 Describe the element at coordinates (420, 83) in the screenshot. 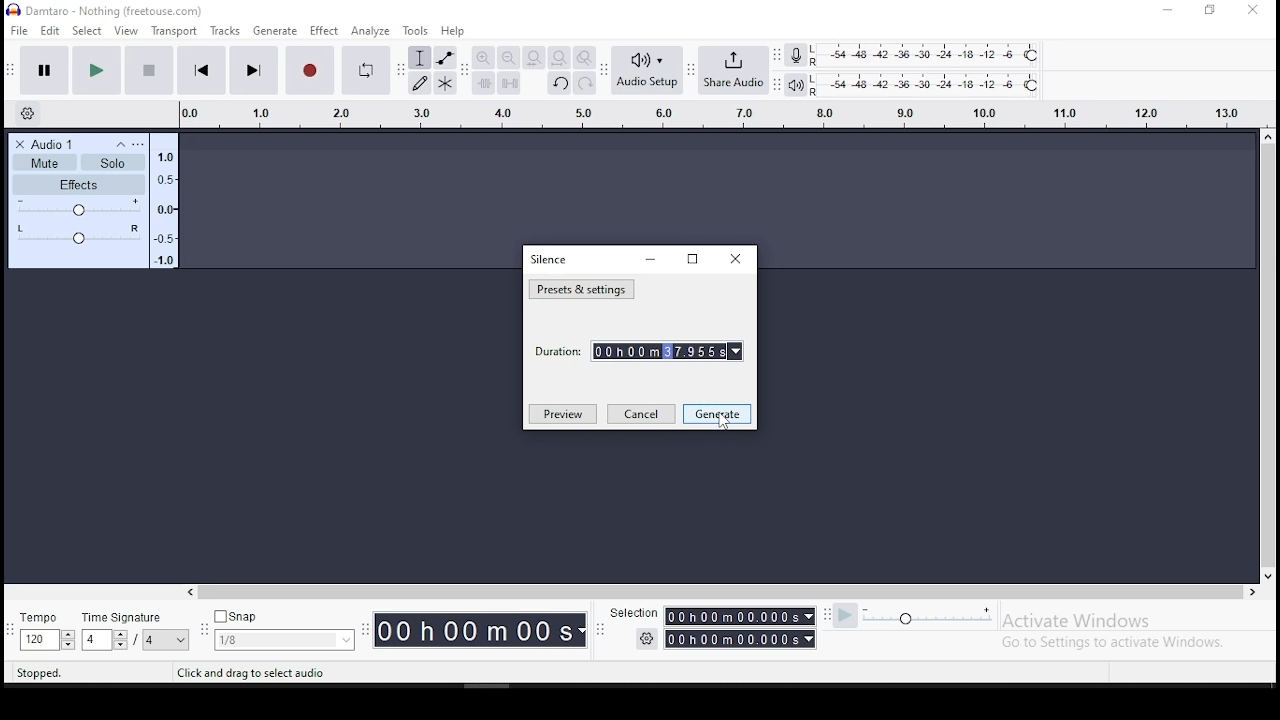

I see `draw tool` at that location.